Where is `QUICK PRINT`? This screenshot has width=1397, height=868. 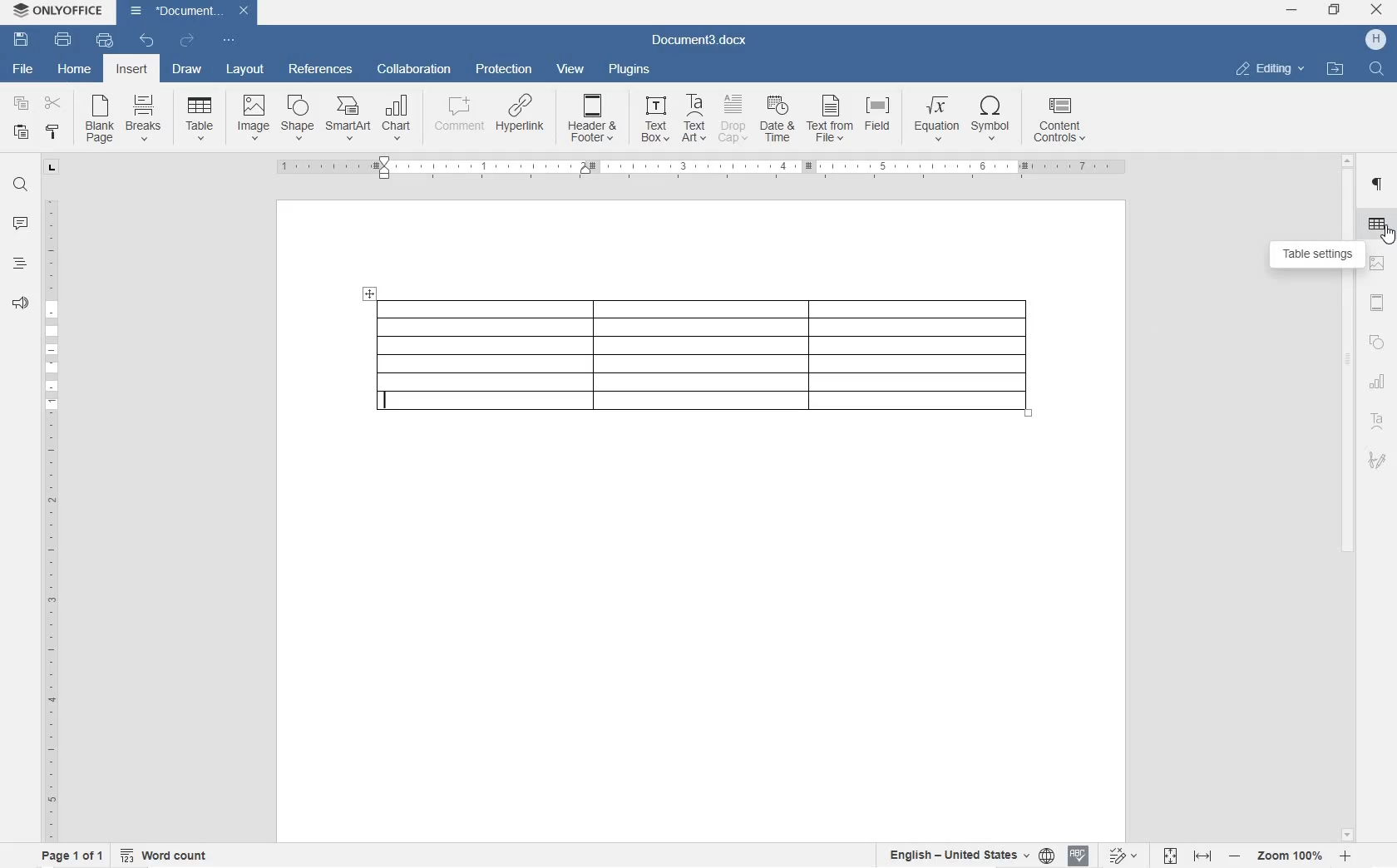
QUICK PRINT is located at coordinates (104, 42).